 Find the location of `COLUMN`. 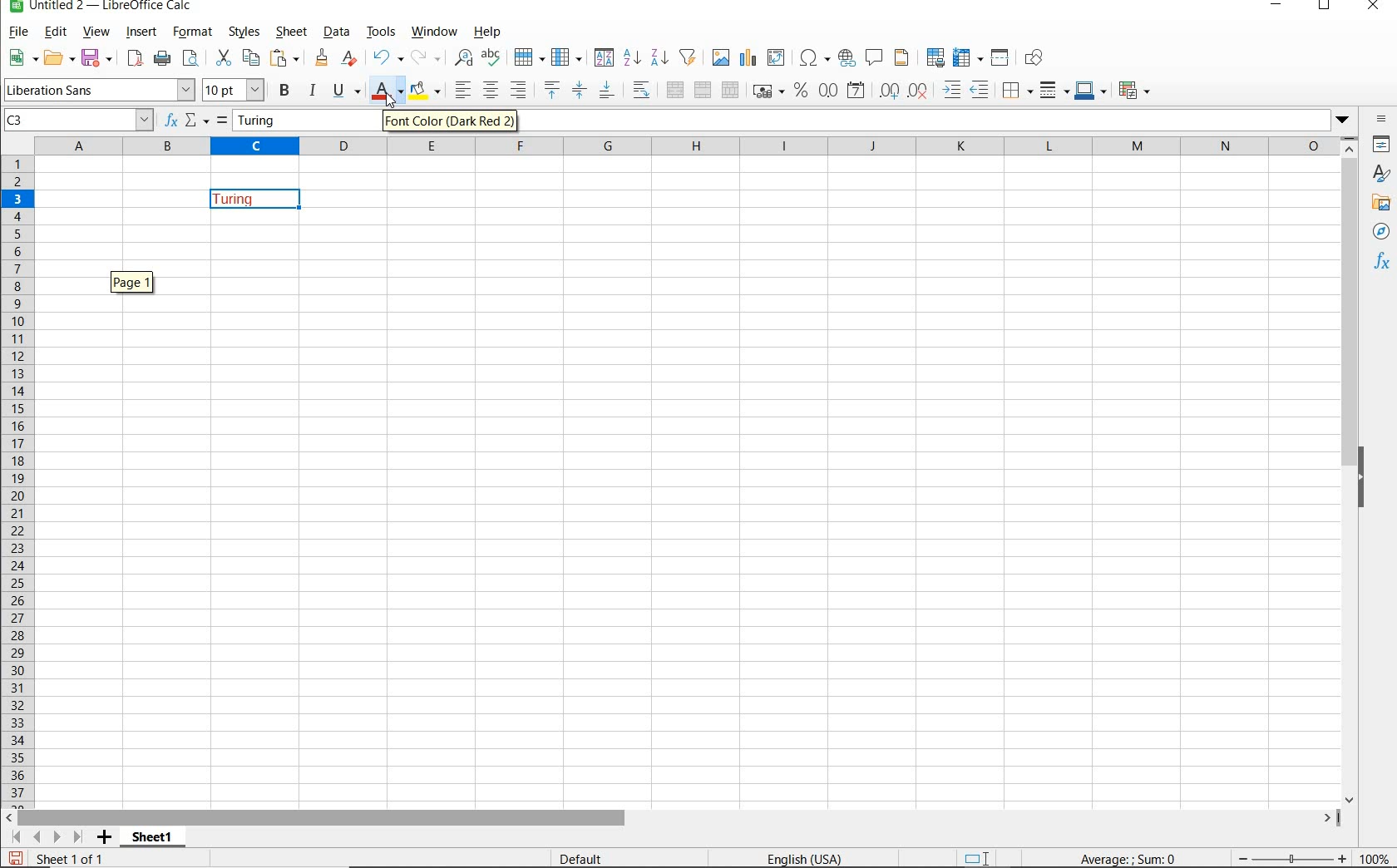

COLUMN is located at coordinates (566, 56).